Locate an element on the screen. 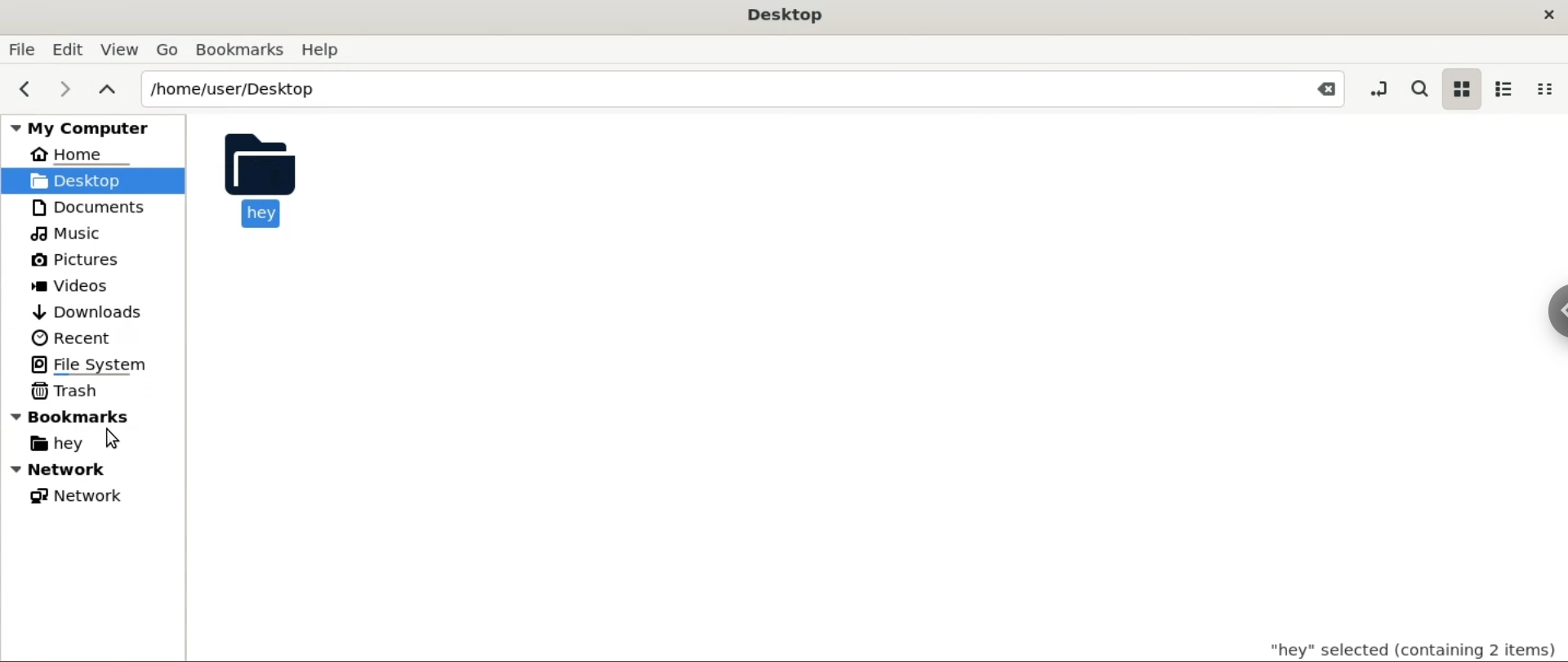 The height and width of the screenshot is (662, 1568). "hey" selected (containing 2 items) is located at coordinates (1391, 646).